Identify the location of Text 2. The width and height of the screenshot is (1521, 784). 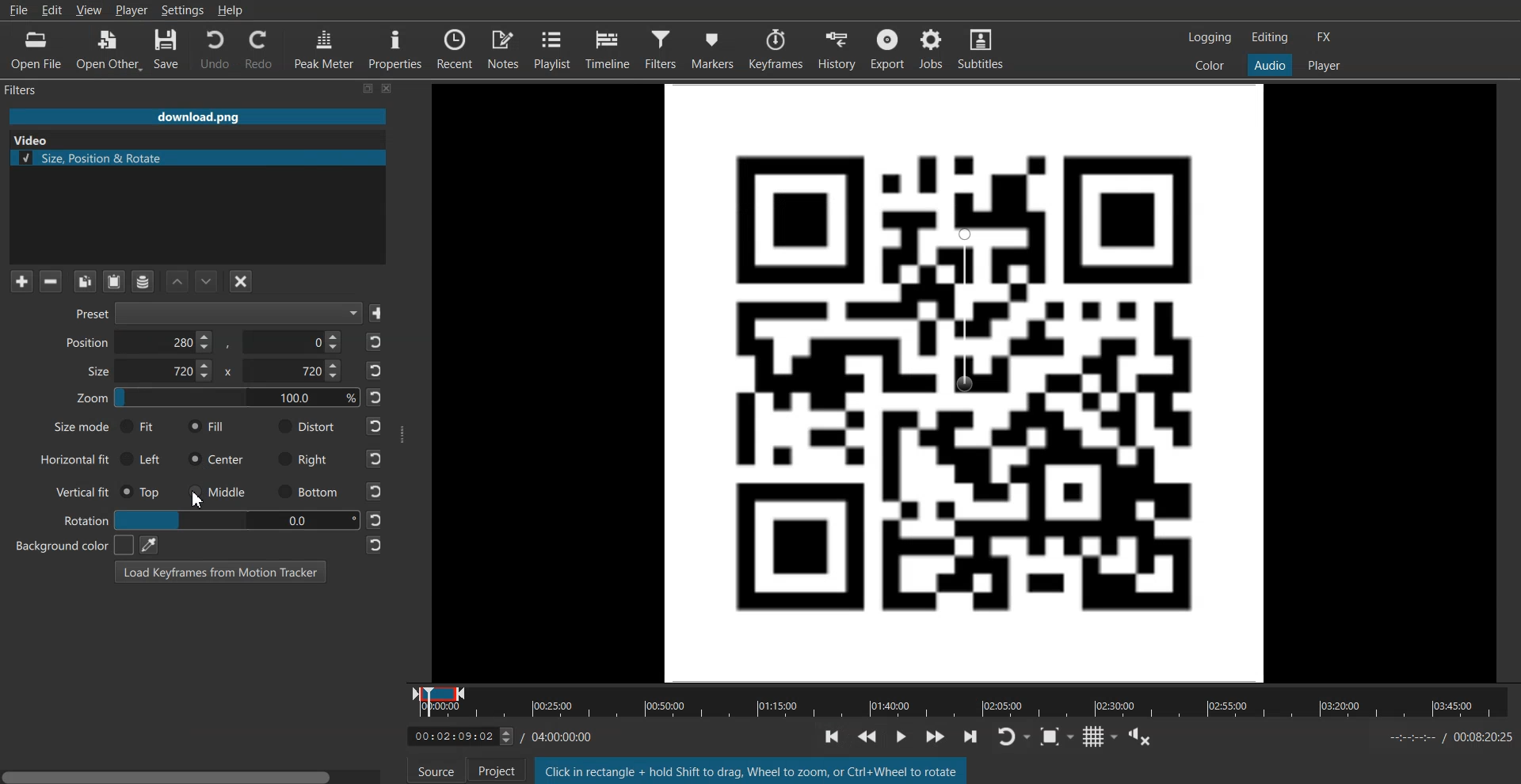
(750, 770).